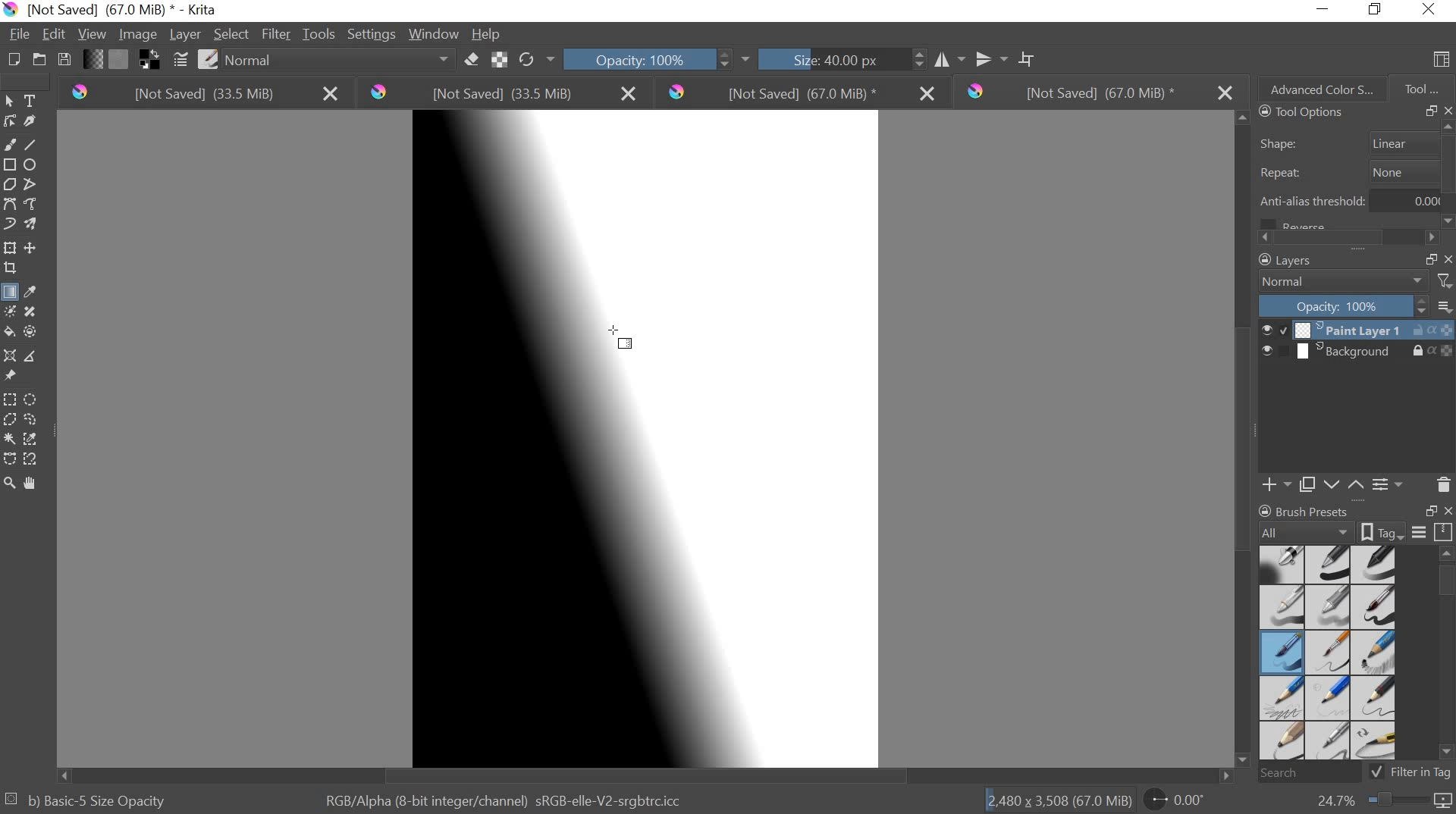 Image resolution: width=1456 pixels, height=814 pixels. Describe the element at coordinates (1351, 205) in the screenshot. I see `anti-alias threshold 0.00` at that location.